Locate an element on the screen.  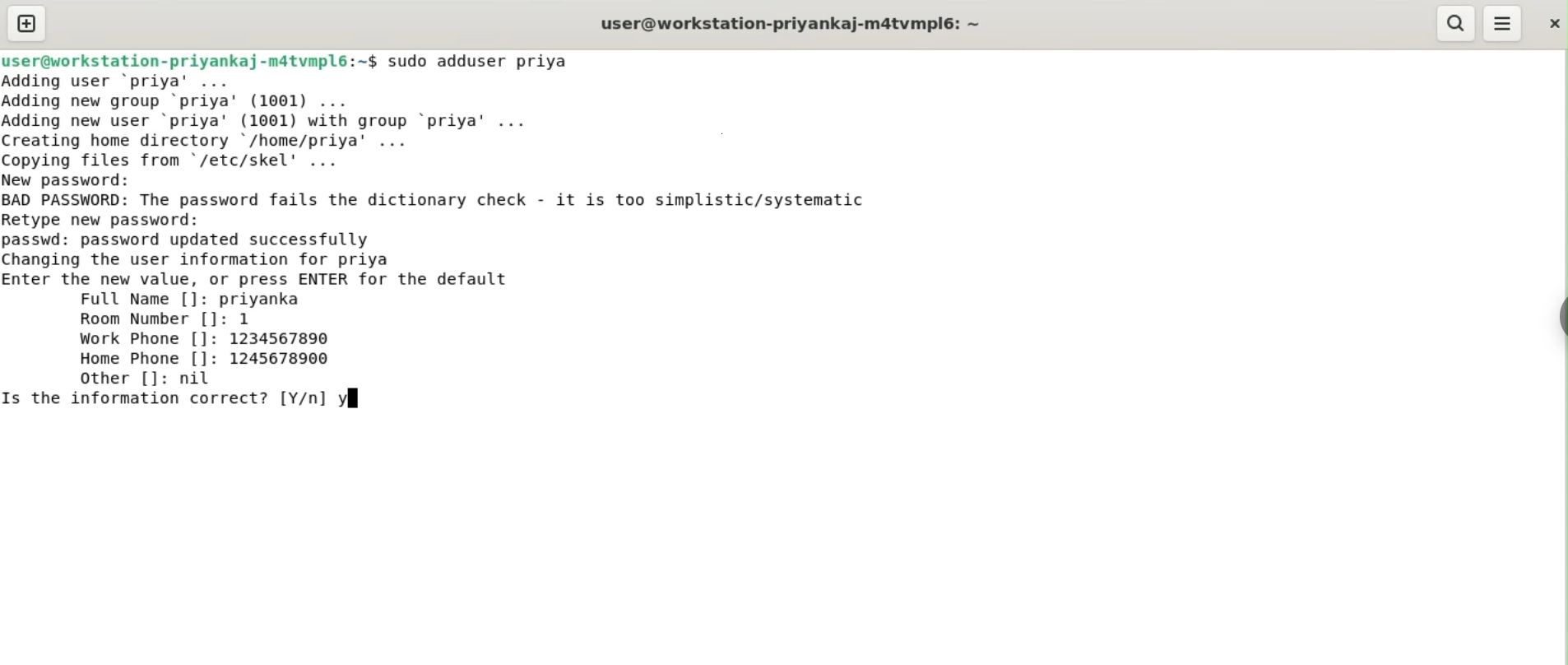
BAD PASSWORD: The password fails the dictionary check. it is too simplistic/systematic is located at coordinates (464, 201).